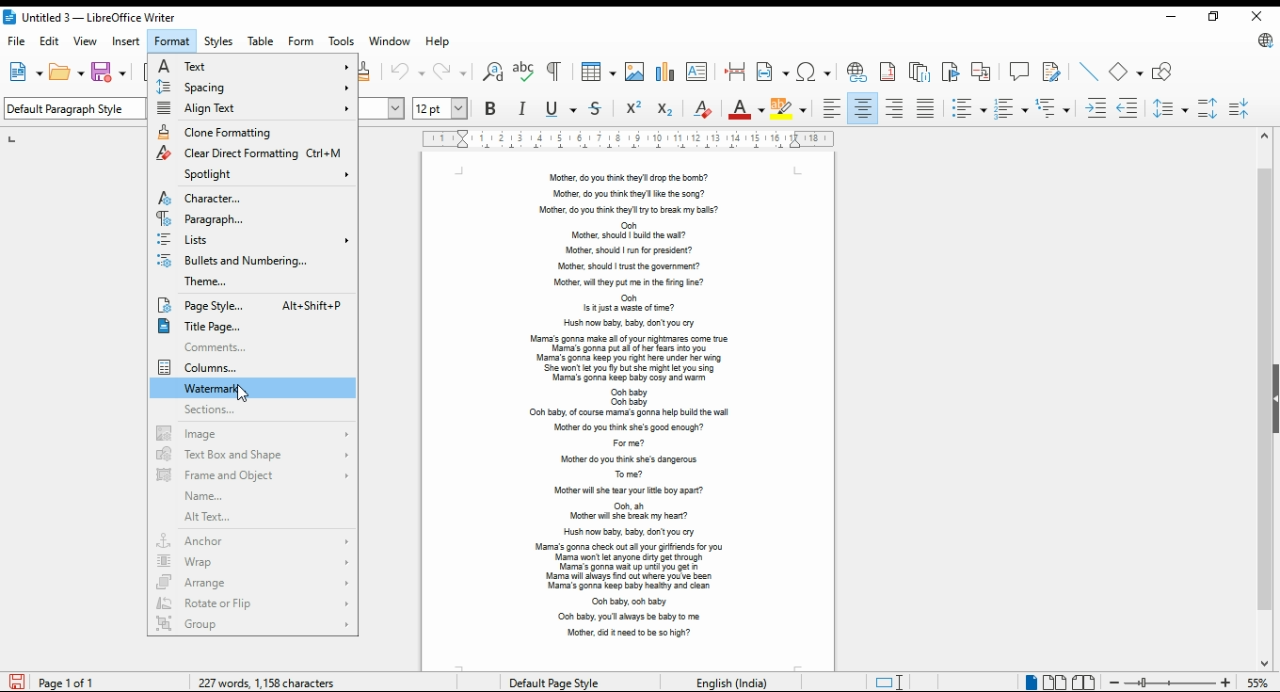  Describe the element at coordinates (1095, 108) in the screenshot. I see `increase indent` at that location.